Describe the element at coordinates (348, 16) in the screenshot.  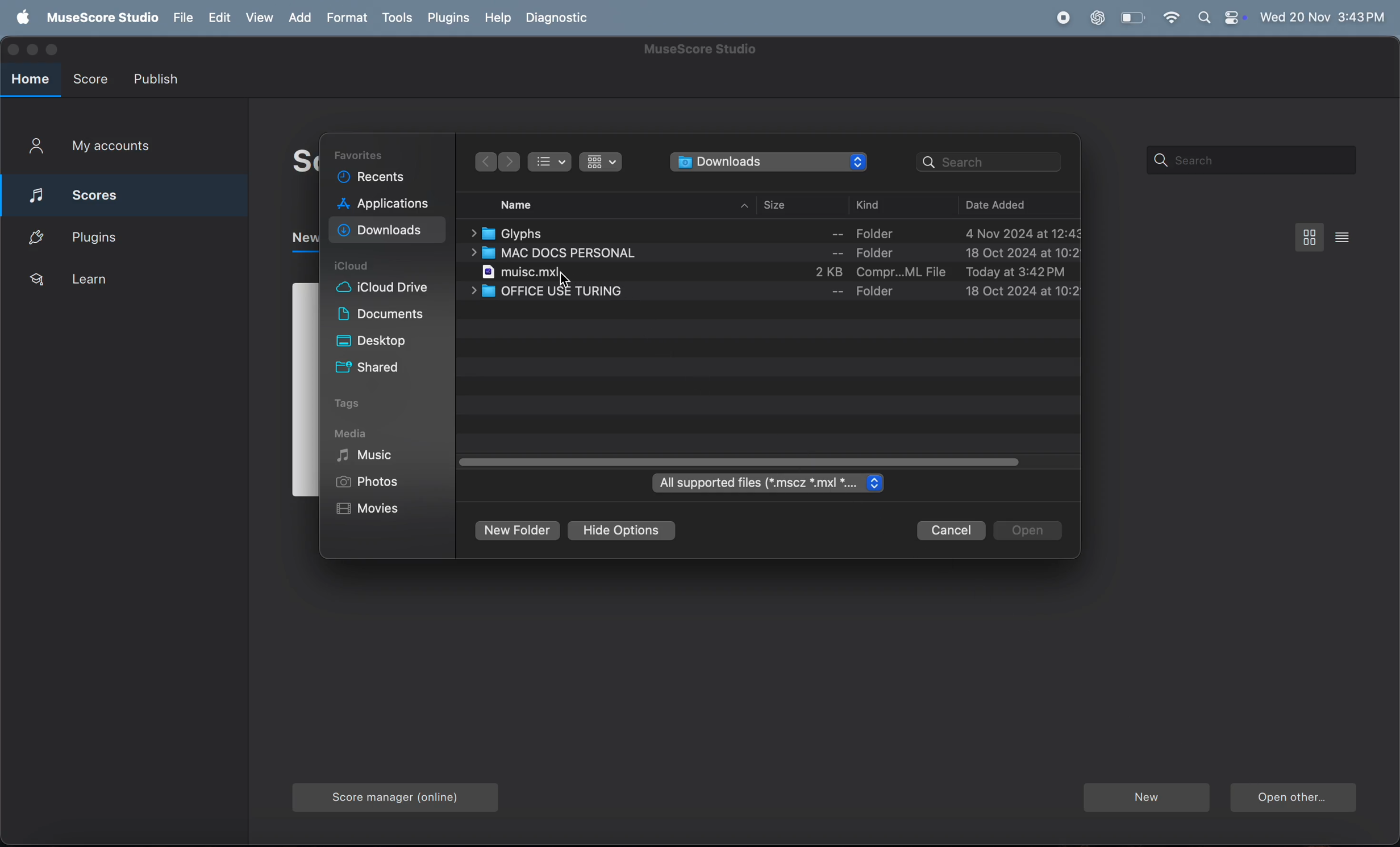
I see `format` at that location.